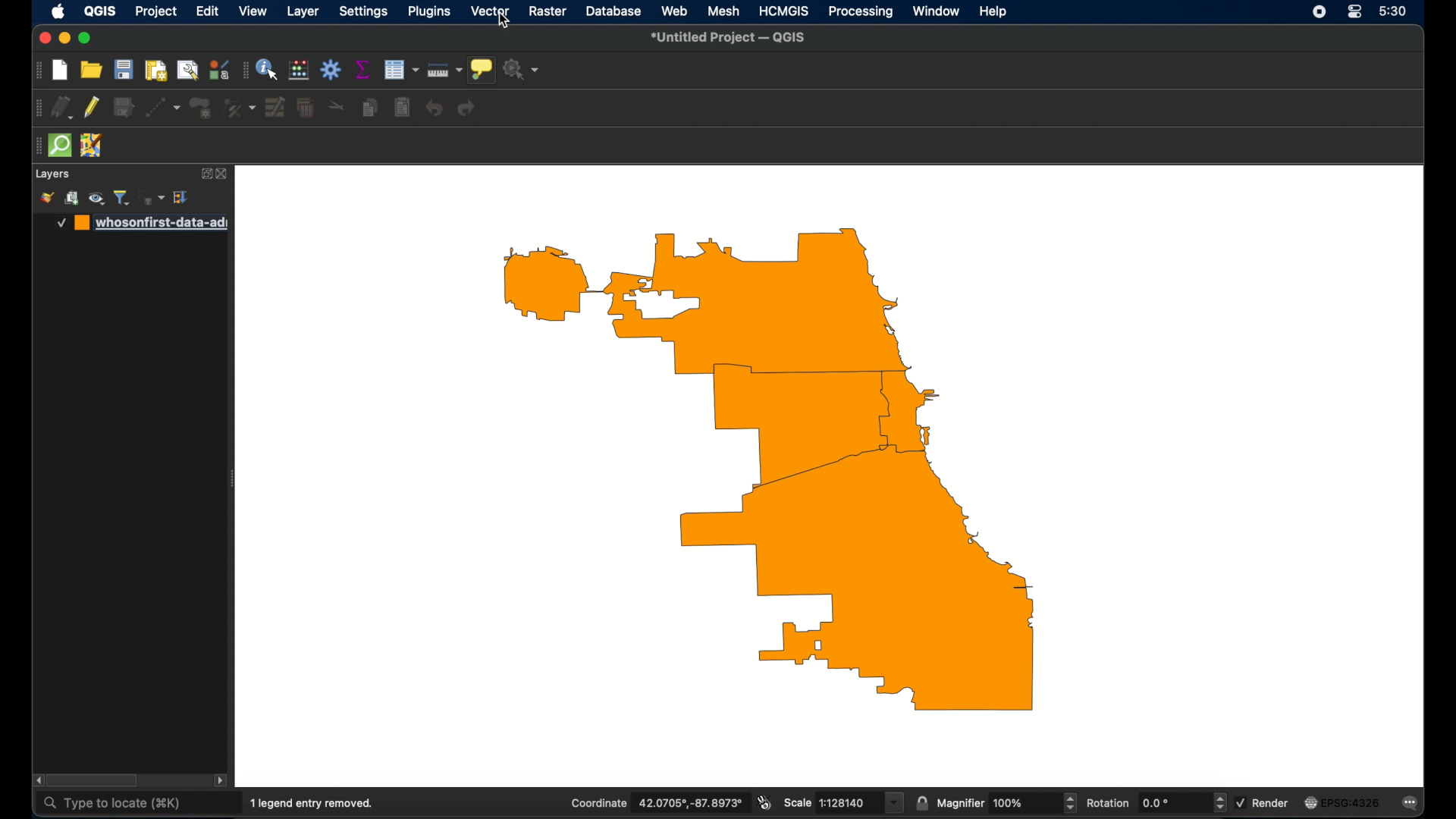  I want to click on layer, so click(303, 11).